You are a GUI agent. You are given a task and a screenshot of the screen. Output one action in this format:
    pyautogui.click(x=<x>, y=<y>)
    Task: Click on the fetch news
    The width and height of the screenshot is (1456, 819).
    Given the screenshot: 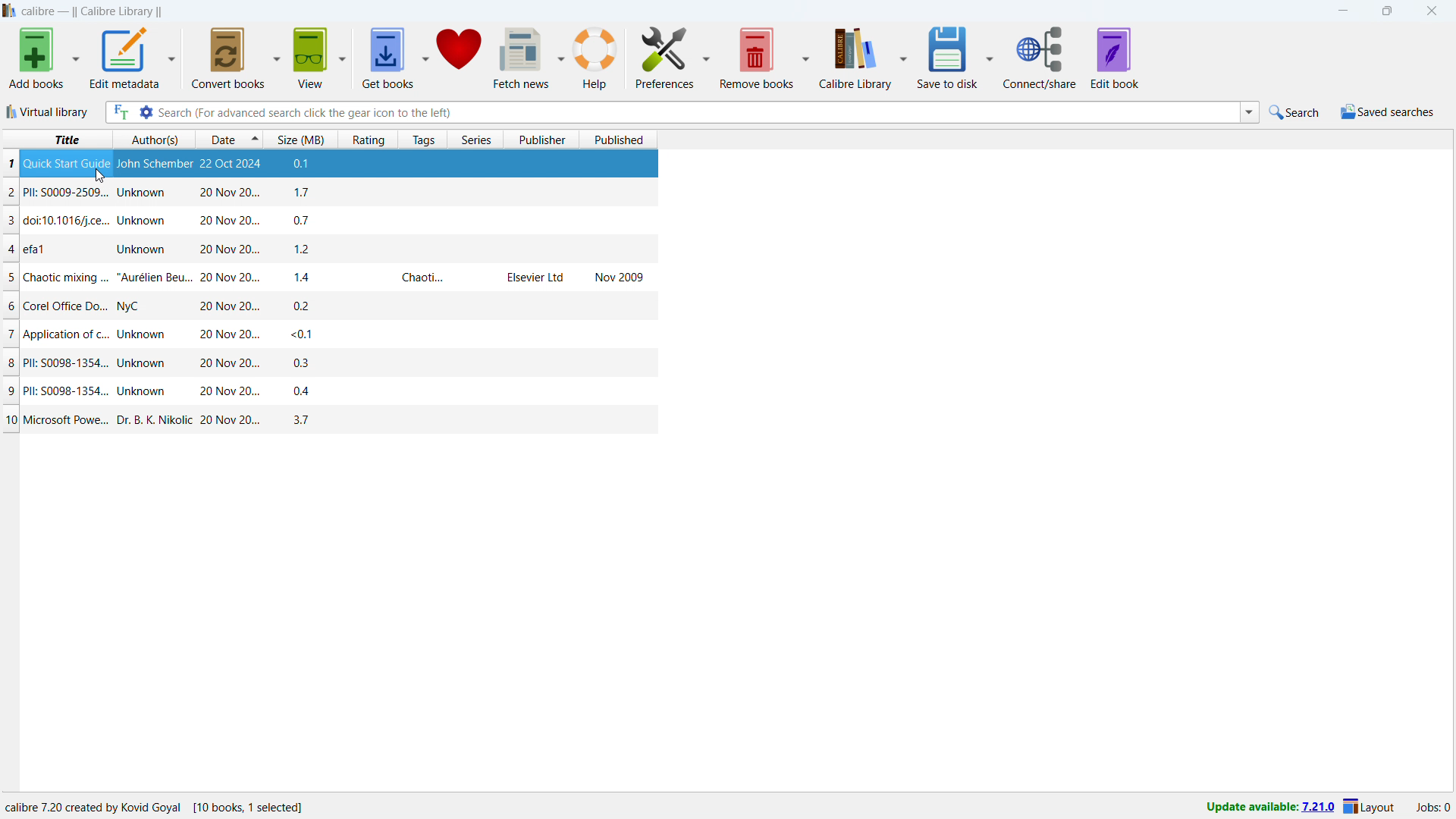 What is the action you would take?
    pyautogui.click(x=521, y=56)
    